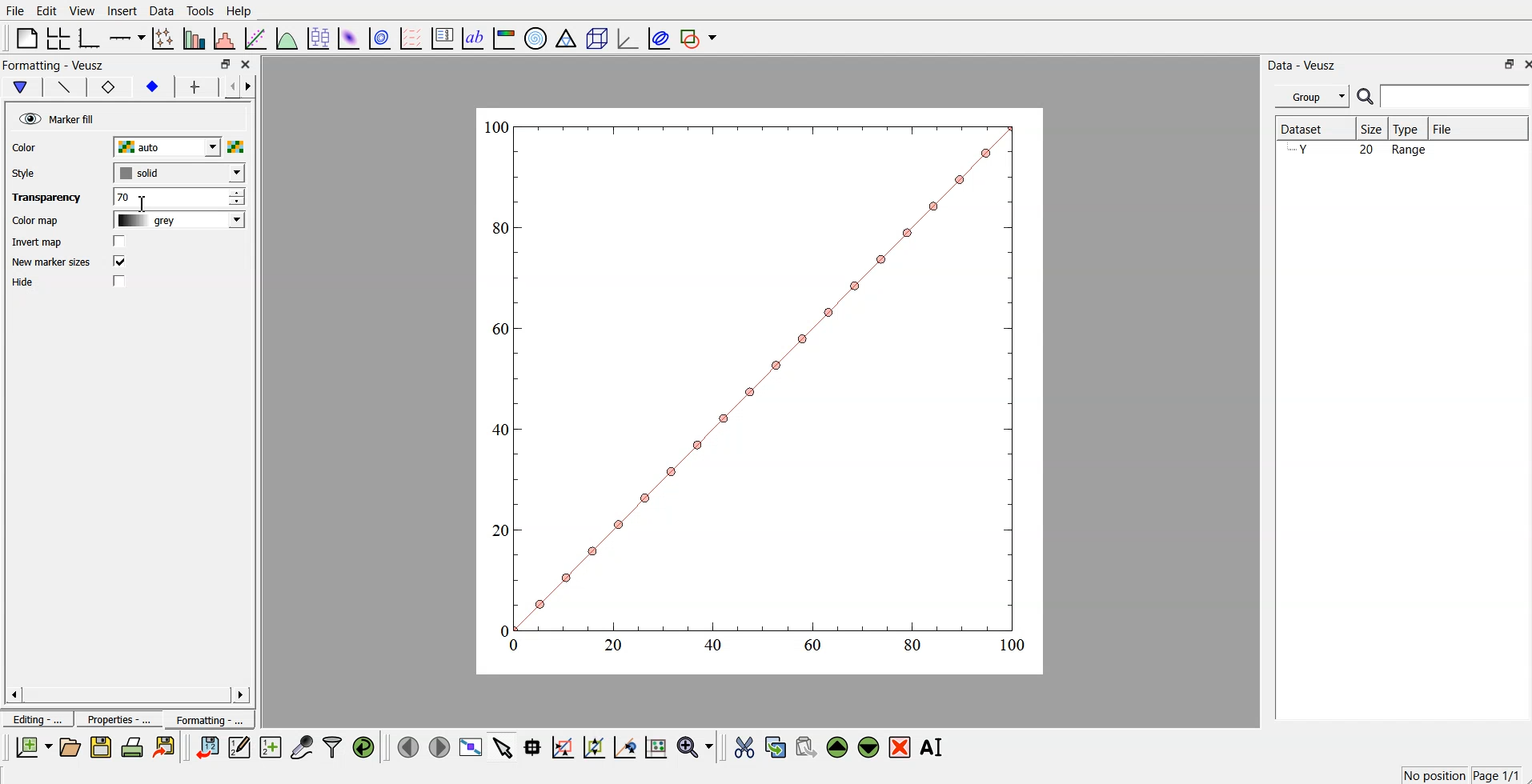 This screenshot has height=784, width=1532. I want to click on checkbox, so click(122, 282).